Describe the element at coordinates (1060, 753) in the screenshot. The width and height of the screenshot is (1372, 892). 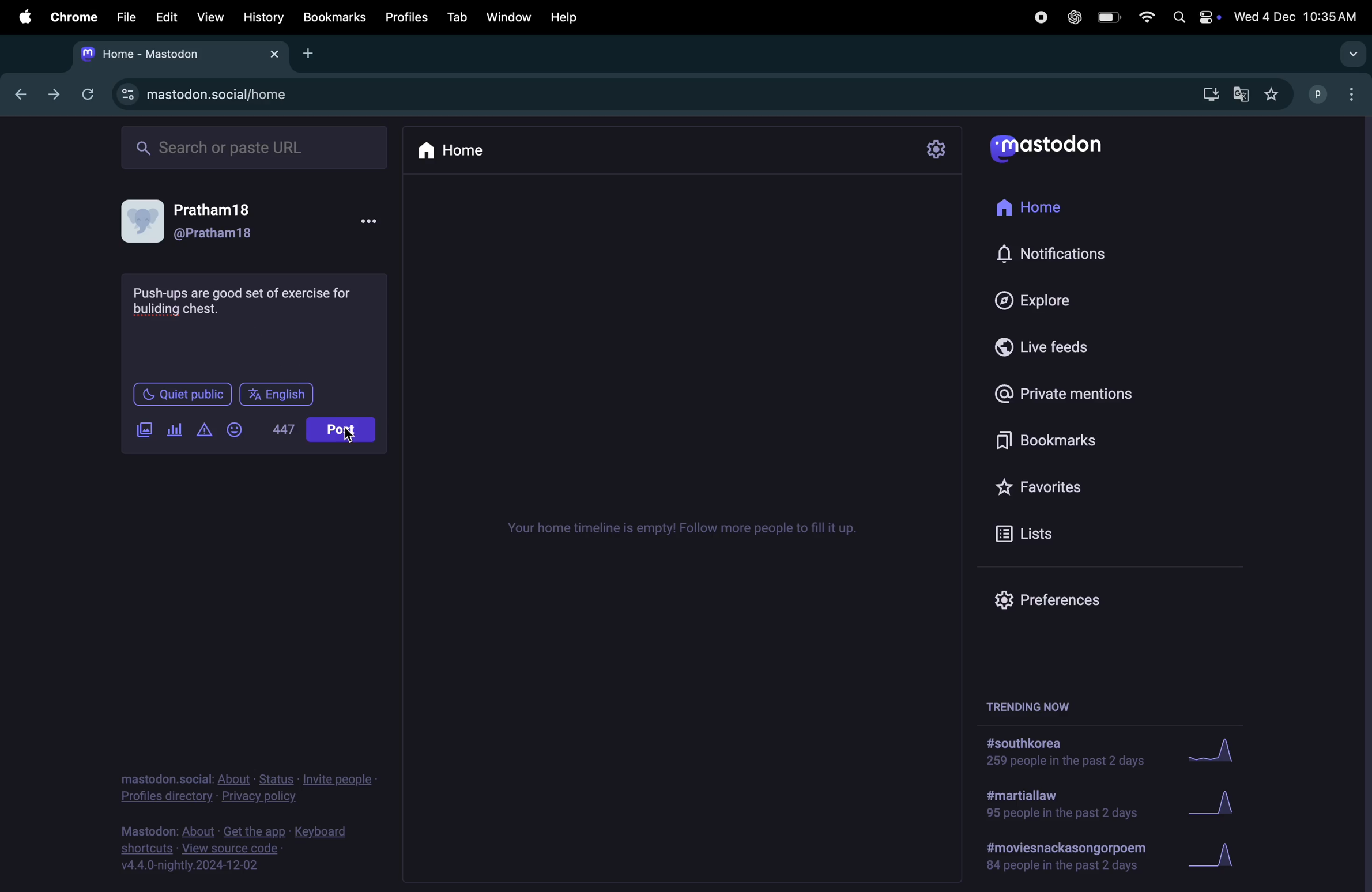
I see `#south korea` at that location.